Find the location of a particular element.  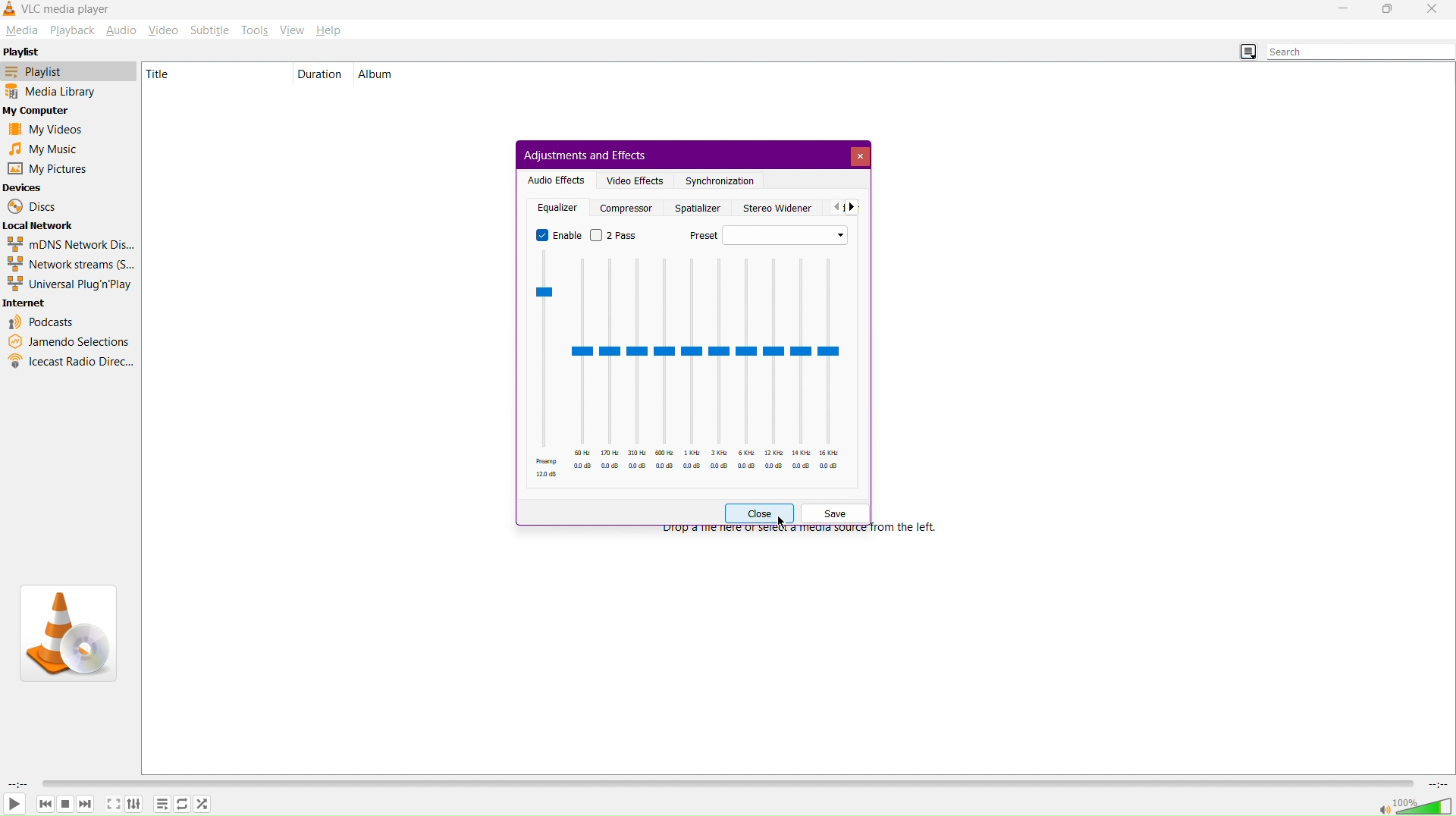

3 KHz is located at coordinates (718, 365).